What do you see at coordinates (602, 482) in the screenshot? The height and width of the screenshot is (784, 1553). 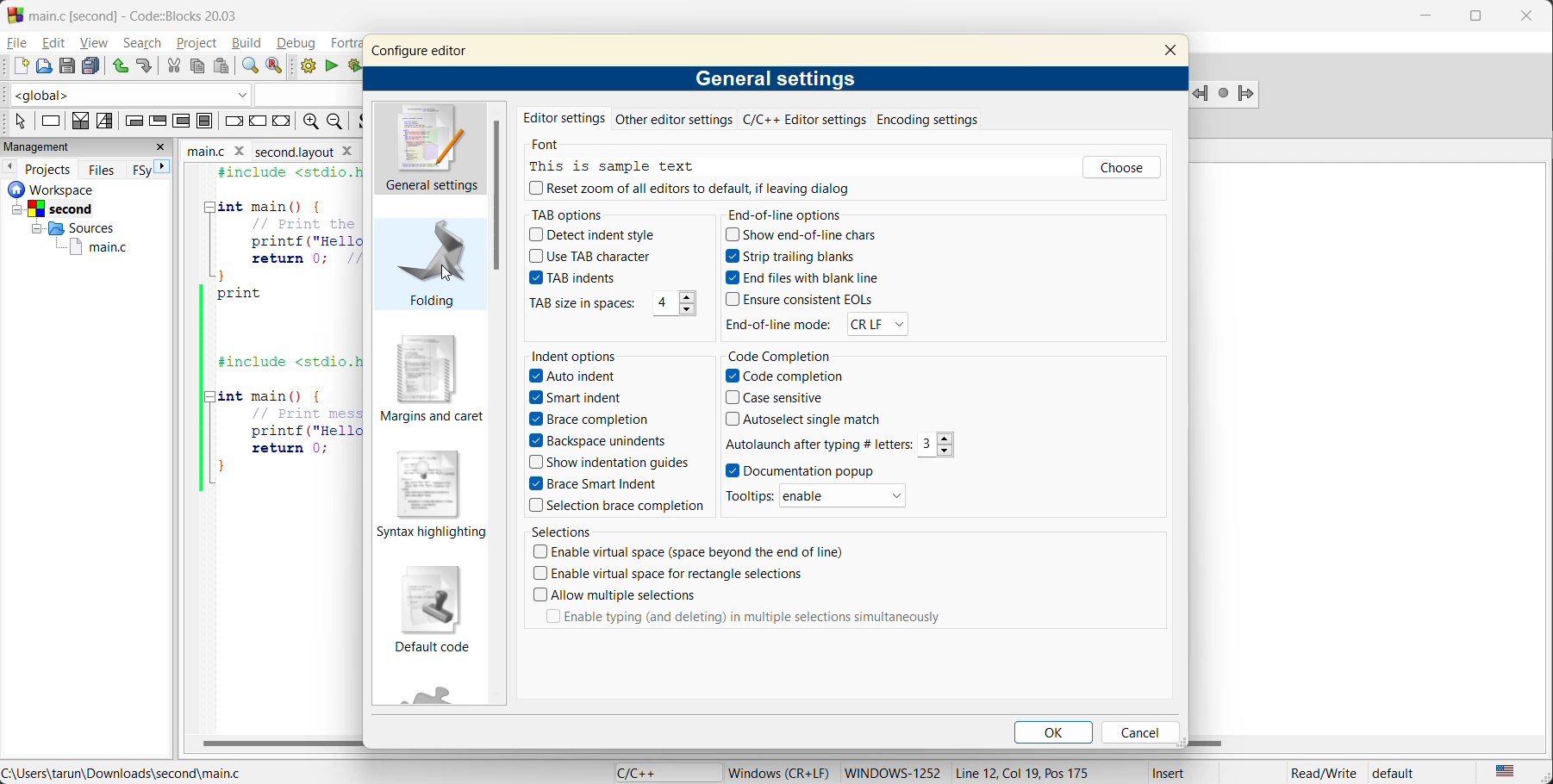 I see `Brace Smart Indent` at bounding box center [602, 482].